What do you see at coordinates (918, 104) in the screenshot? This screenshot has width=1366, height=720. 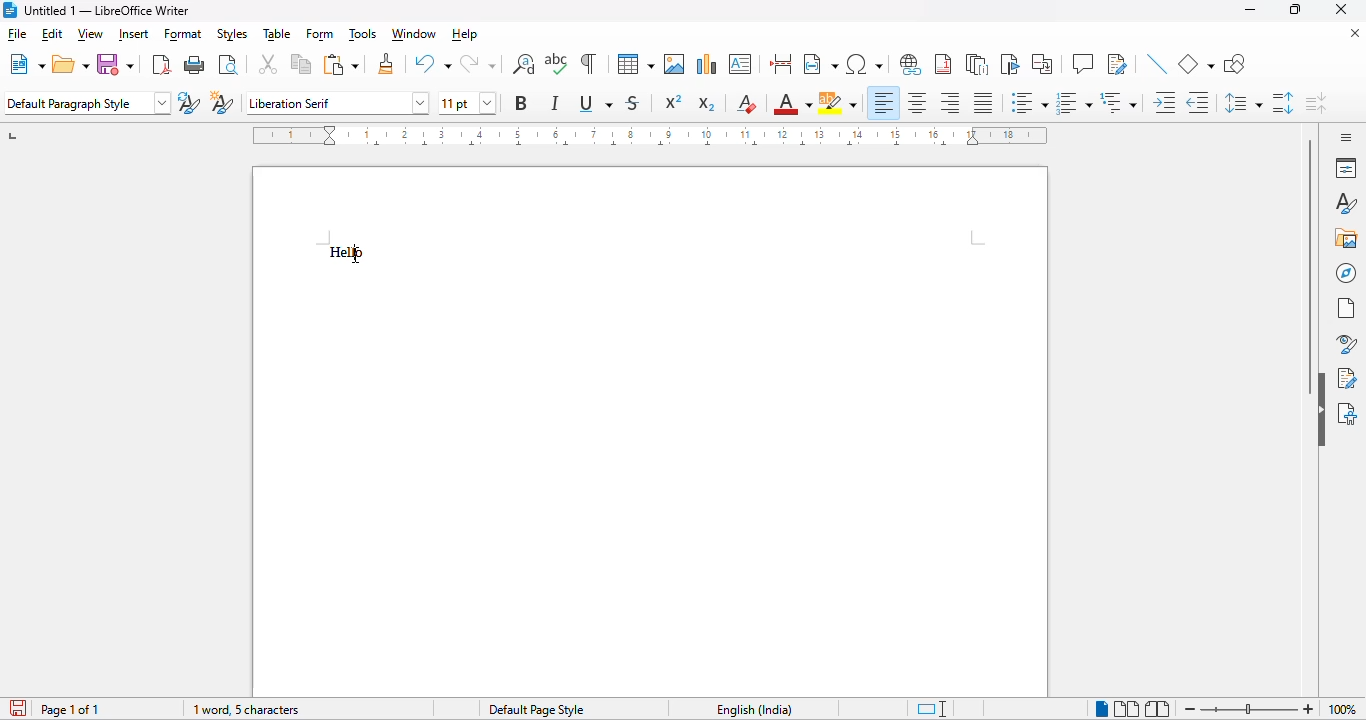 I see `align center` at bounding box center [918, 104].